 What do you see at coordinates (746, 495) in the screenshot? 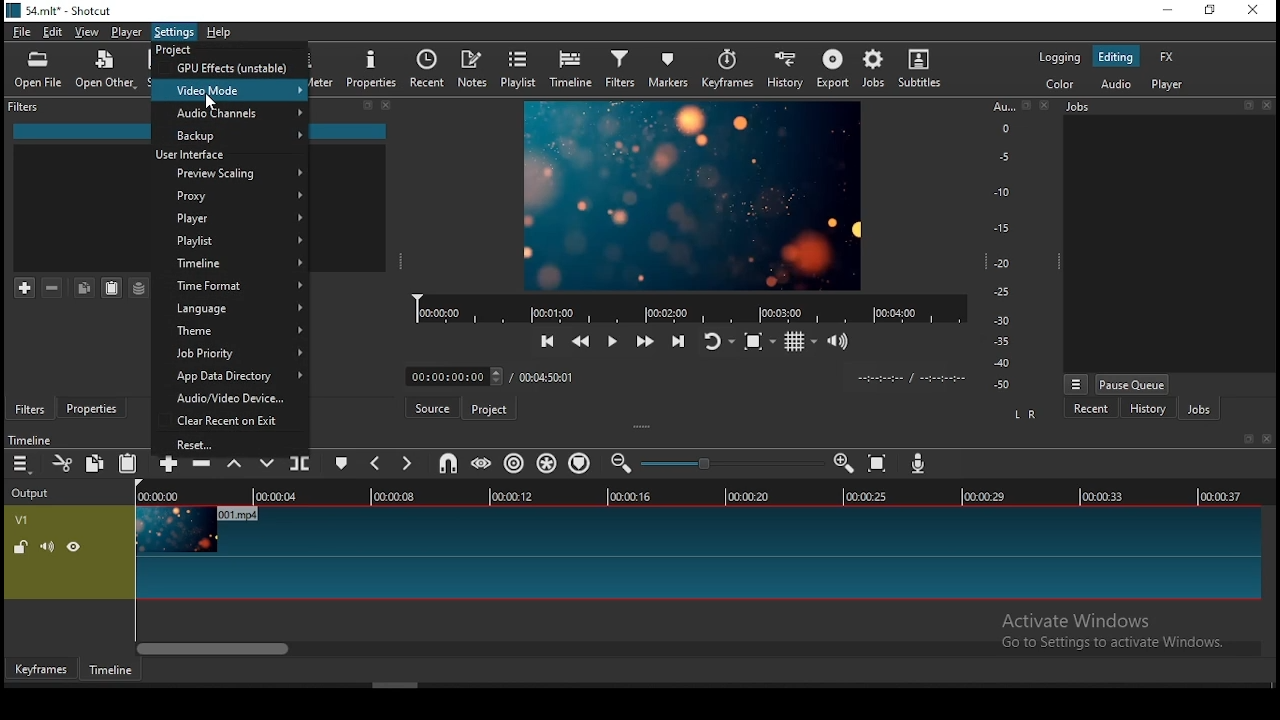
I see `00:00:20` at bounding box center [746, 495].